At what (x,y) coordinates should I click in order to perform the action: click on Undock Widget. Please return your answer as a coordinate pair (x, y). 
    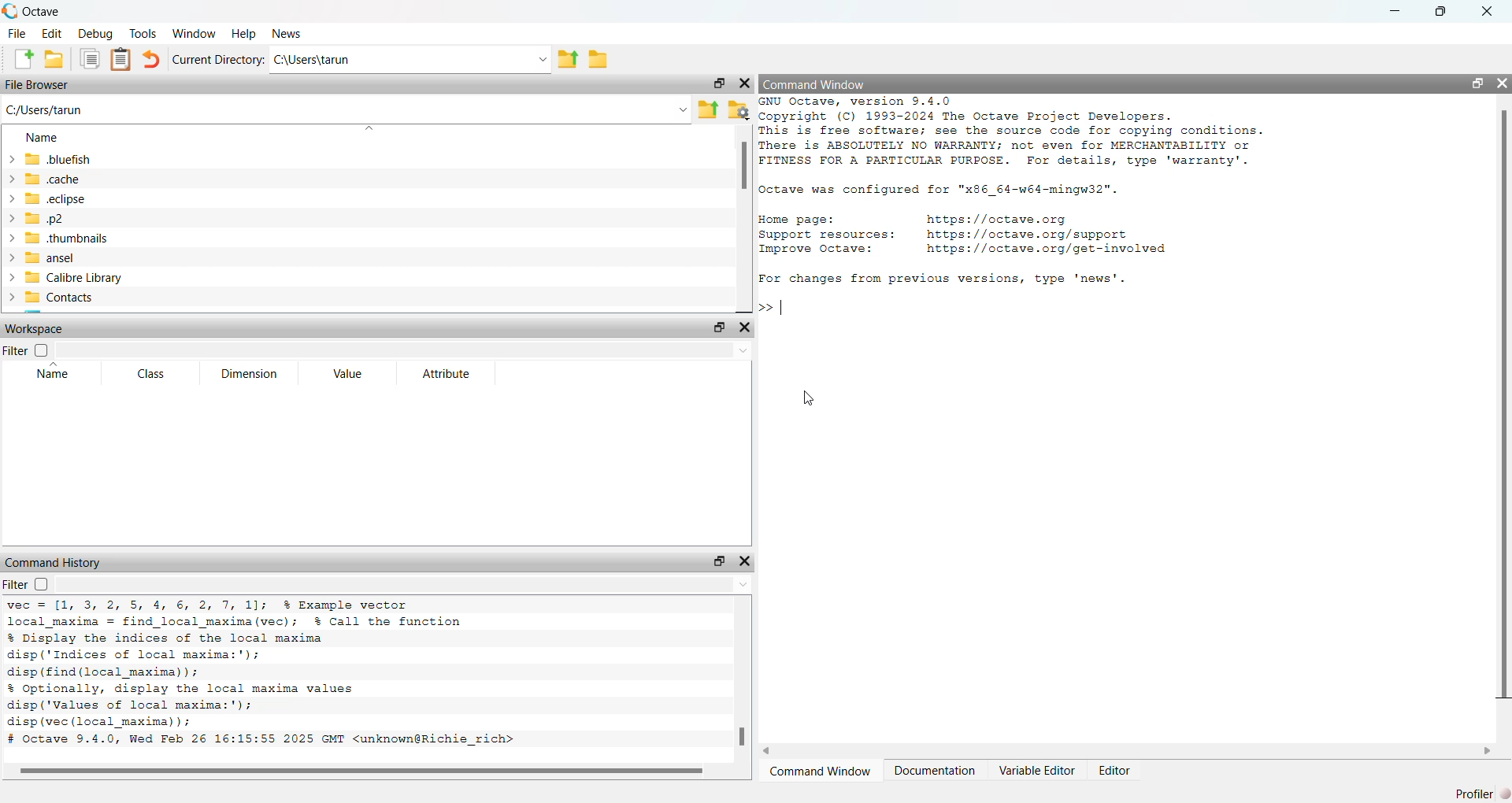
    Looking at the image, I should click on (719, 562).